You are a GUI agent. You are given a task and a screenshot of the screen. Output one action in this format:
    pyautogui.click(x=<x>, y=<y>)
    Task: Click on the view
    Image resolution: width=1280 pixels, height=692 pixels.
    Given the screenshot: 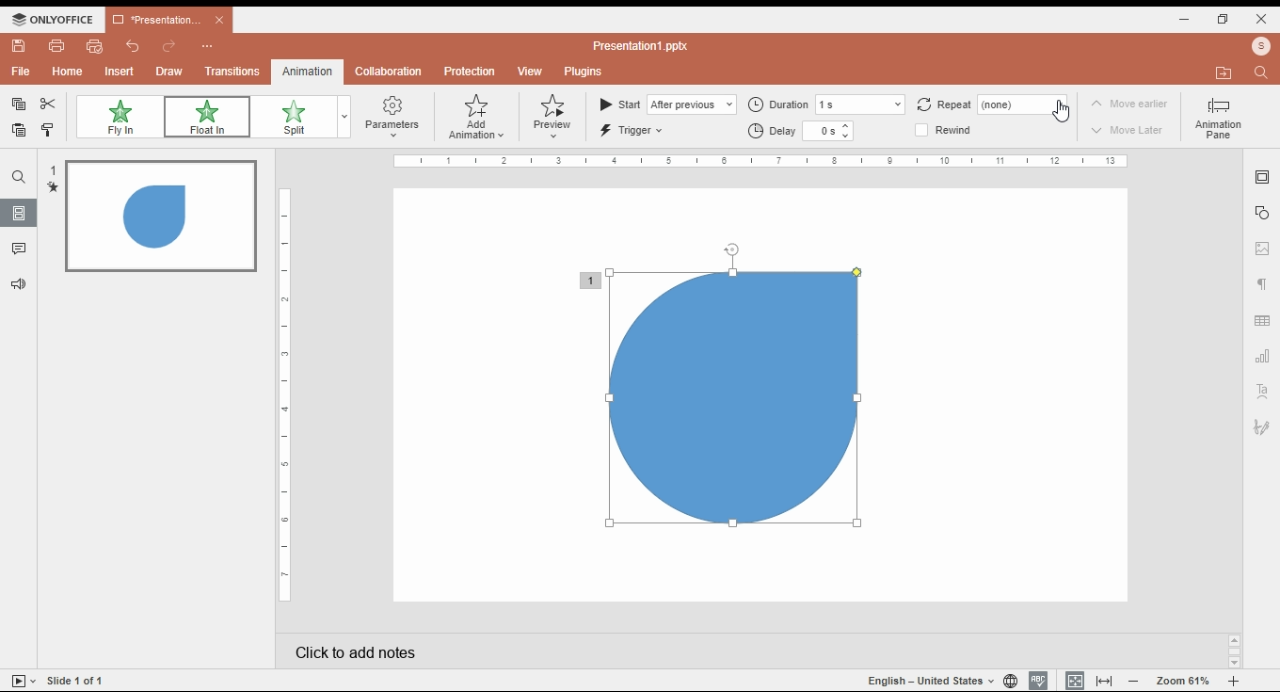 What is the action you would take?
    pyautogui.click(x=529, y=72)
    